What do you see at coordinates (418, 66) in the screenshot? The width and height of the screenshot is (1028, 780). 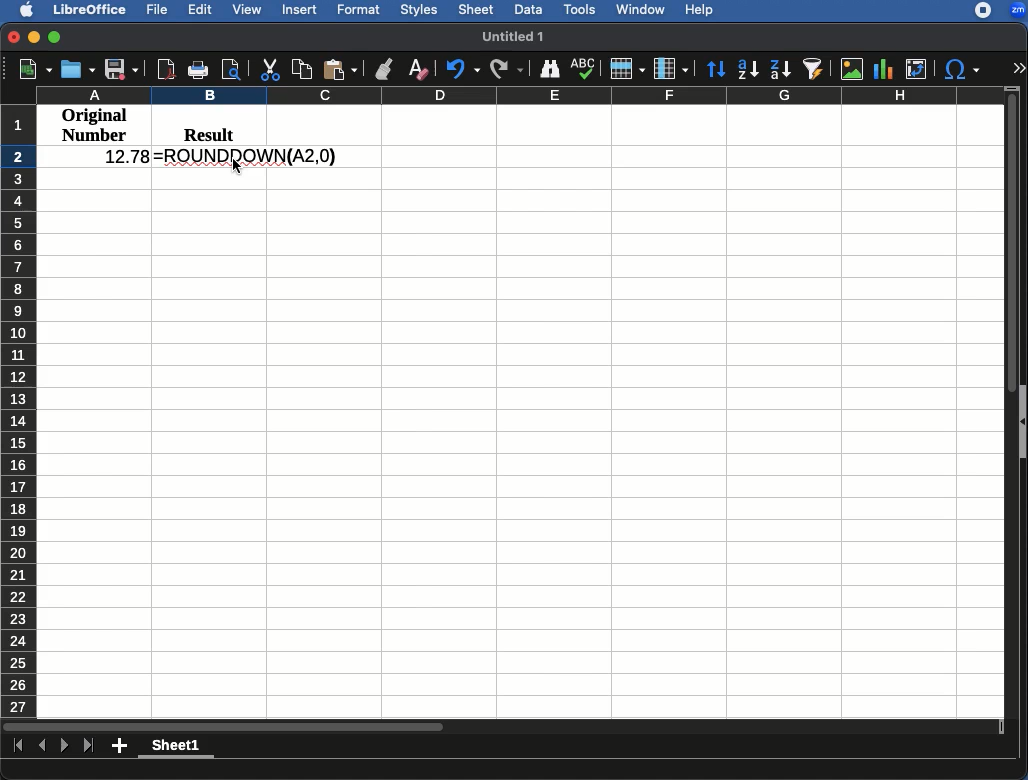 I see `Clear formatting` at bounding box center [418, 66].